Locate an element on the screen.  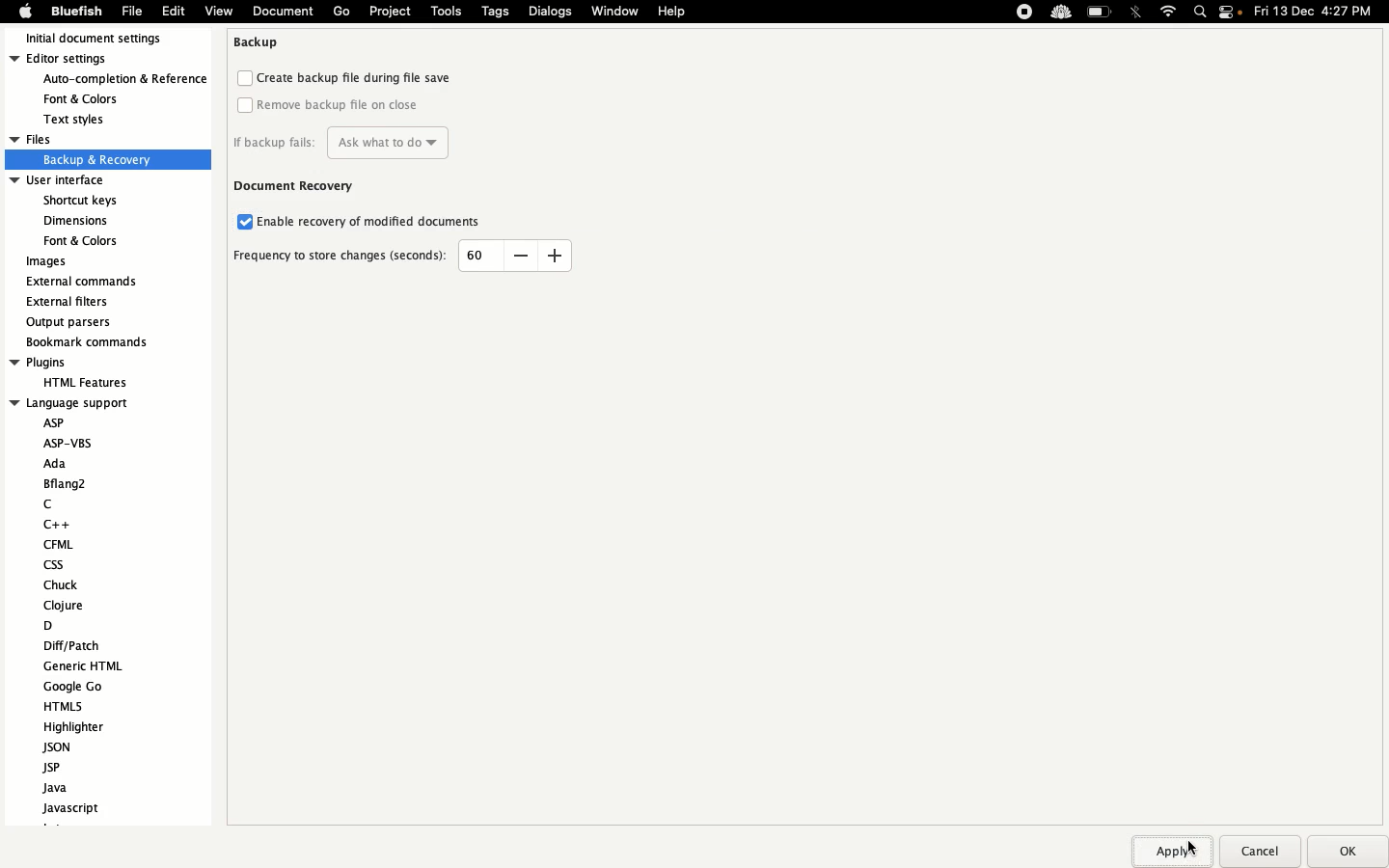
Edit is located at coordinates (172, 14).